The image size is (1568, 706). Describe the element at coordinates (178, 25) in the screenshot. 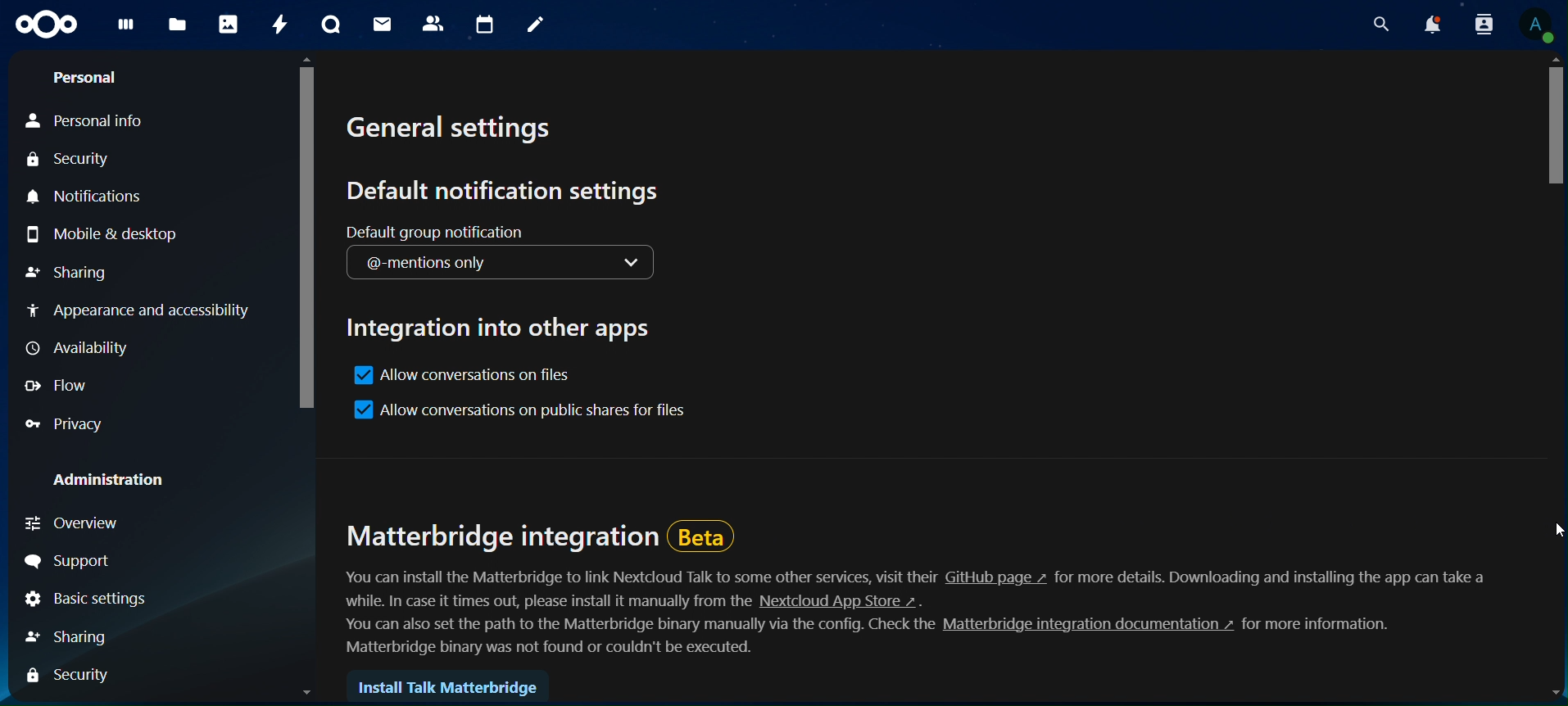

I see `files` at that location.